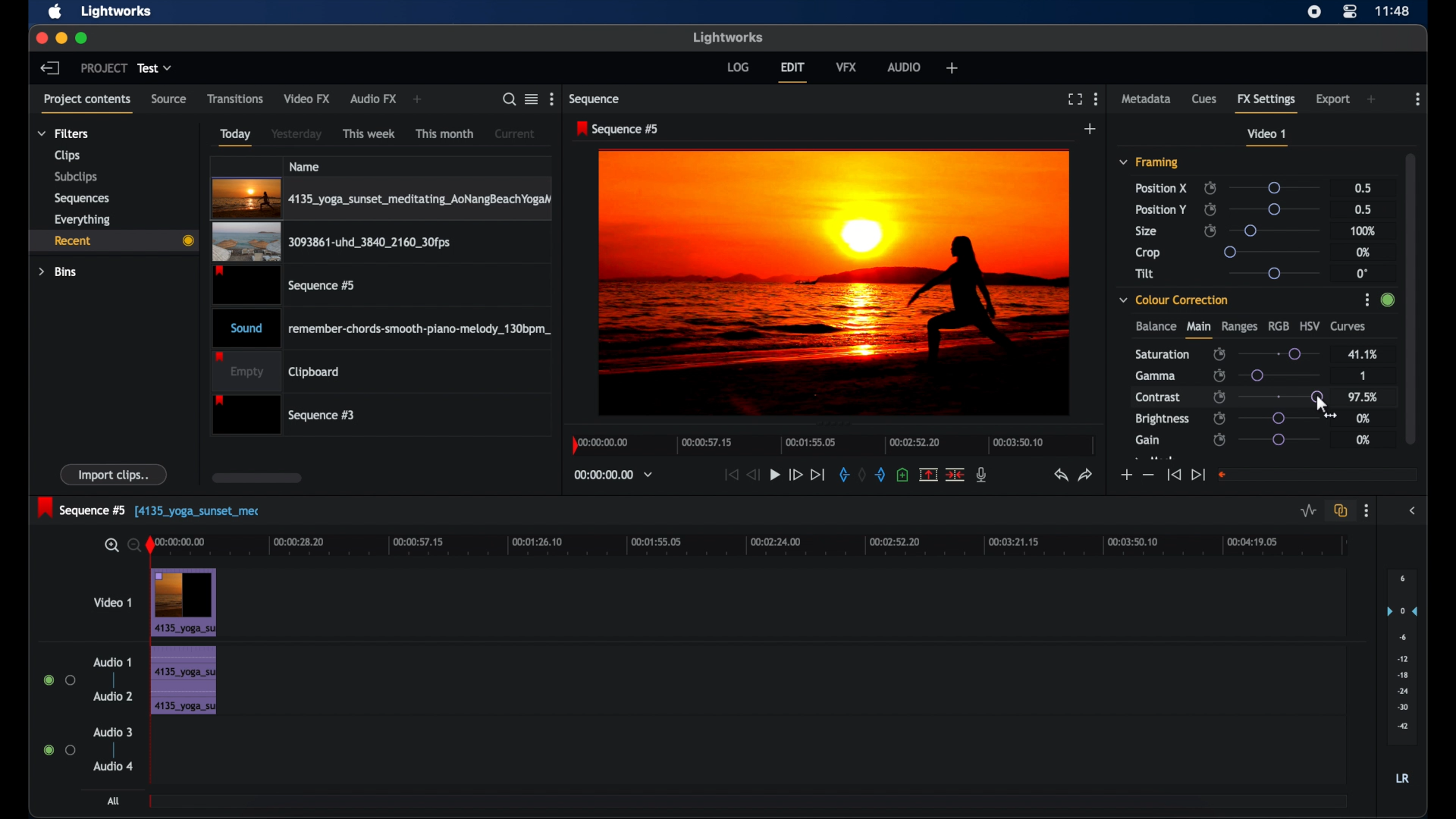 The height and width of the screenshot is (819, 1456). Describe the element at coordinates (1150, 163) in the screenshot. I see `framing` at that location.